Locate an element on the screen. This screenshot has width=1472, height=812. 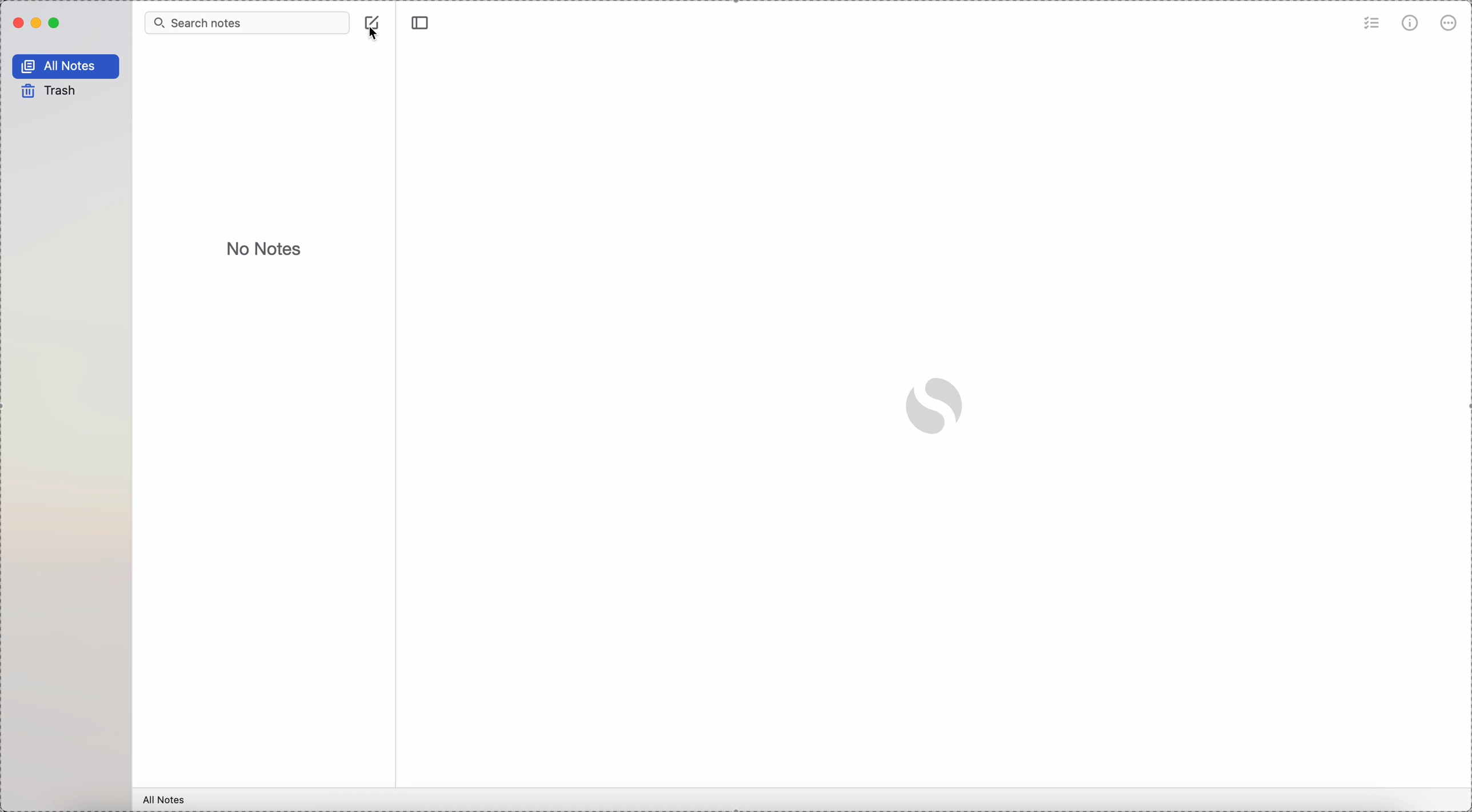
create note is located at coordinates (373, 21).